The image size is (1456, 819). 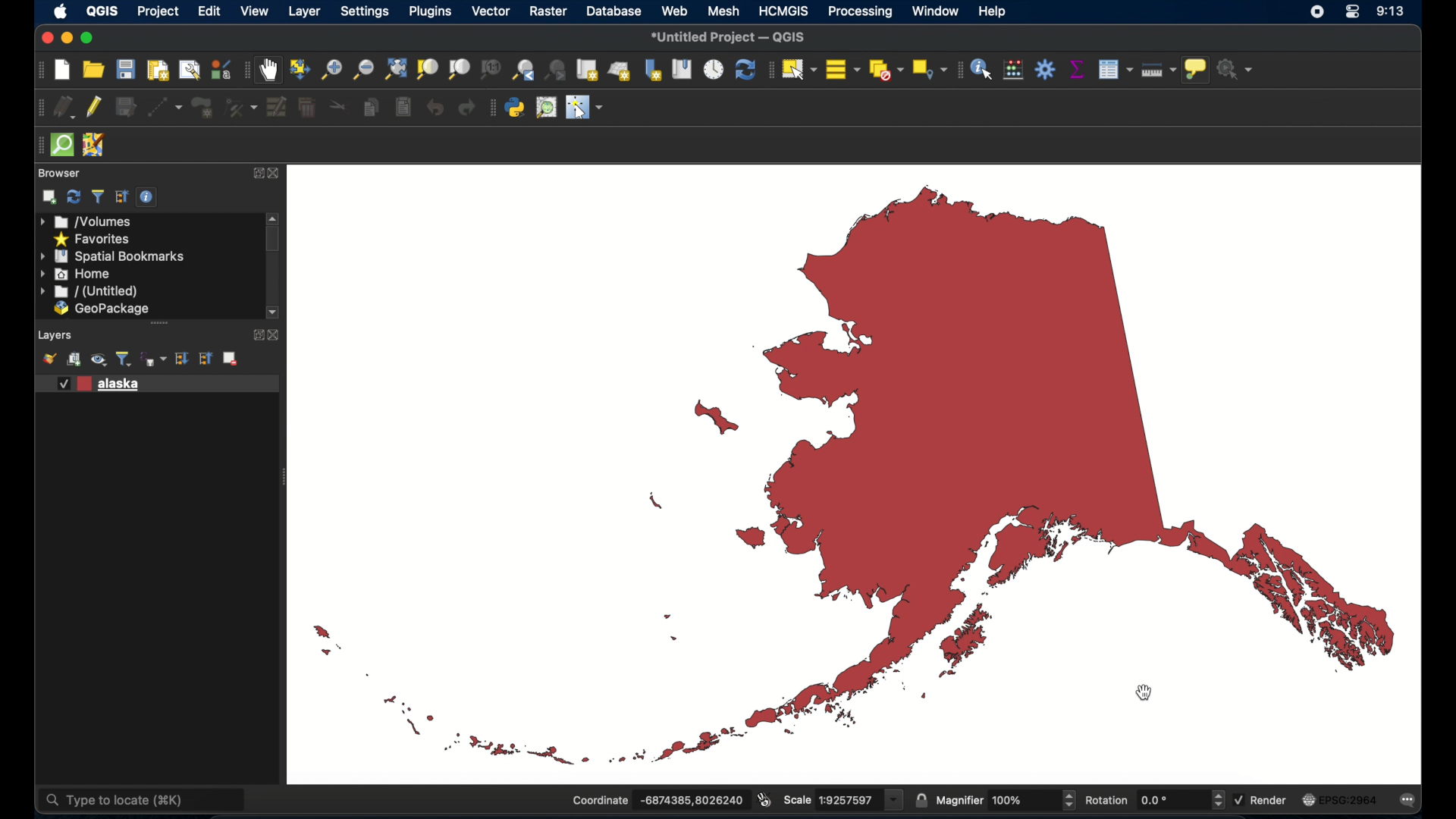 What do you see at coordinates (61, 12) in the screenshot?
I see `appleicon` at bounding box center [61, 12].